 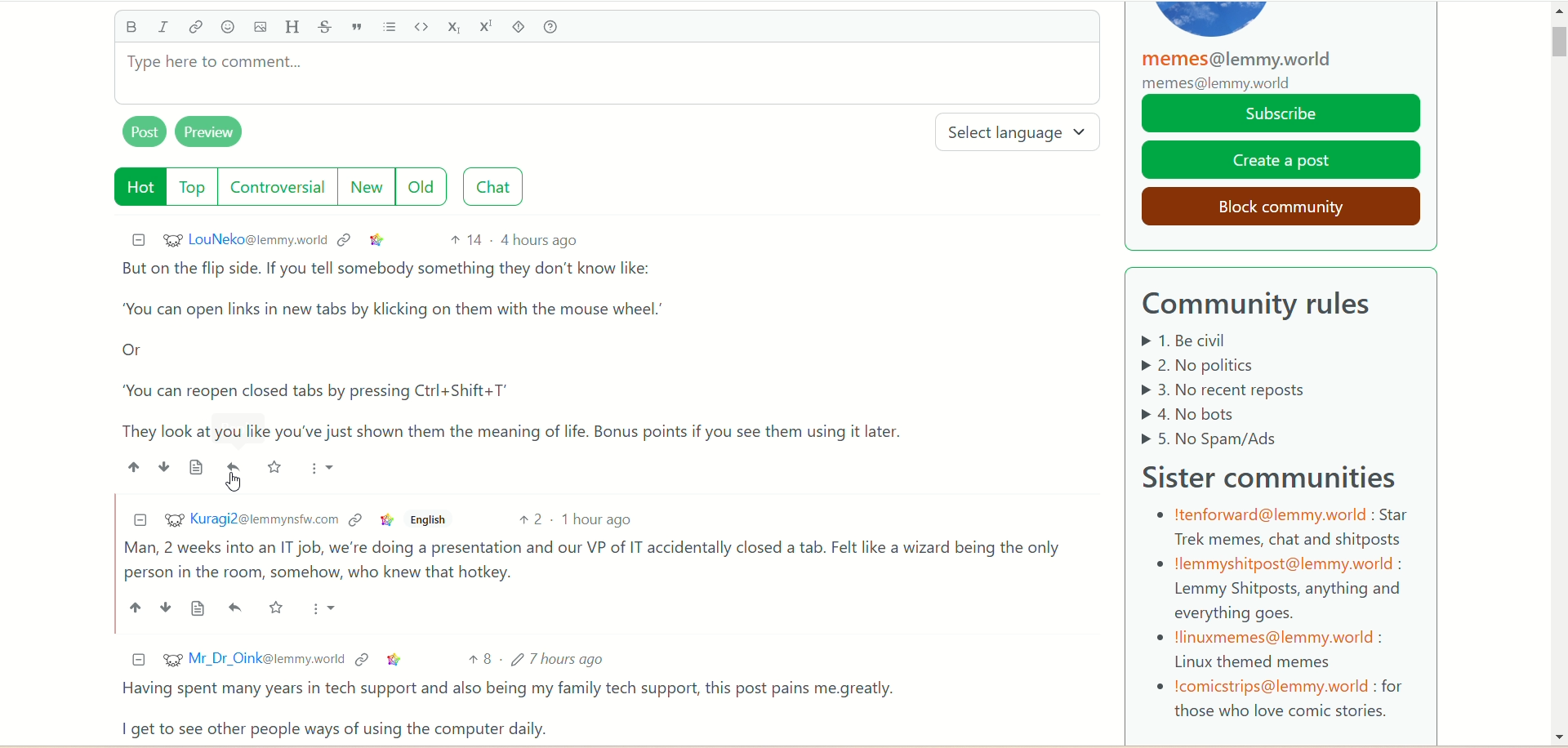 What do you see at coordinates (275, 467) in the screenshot?
I see `save` at bounding box center [275, 467].